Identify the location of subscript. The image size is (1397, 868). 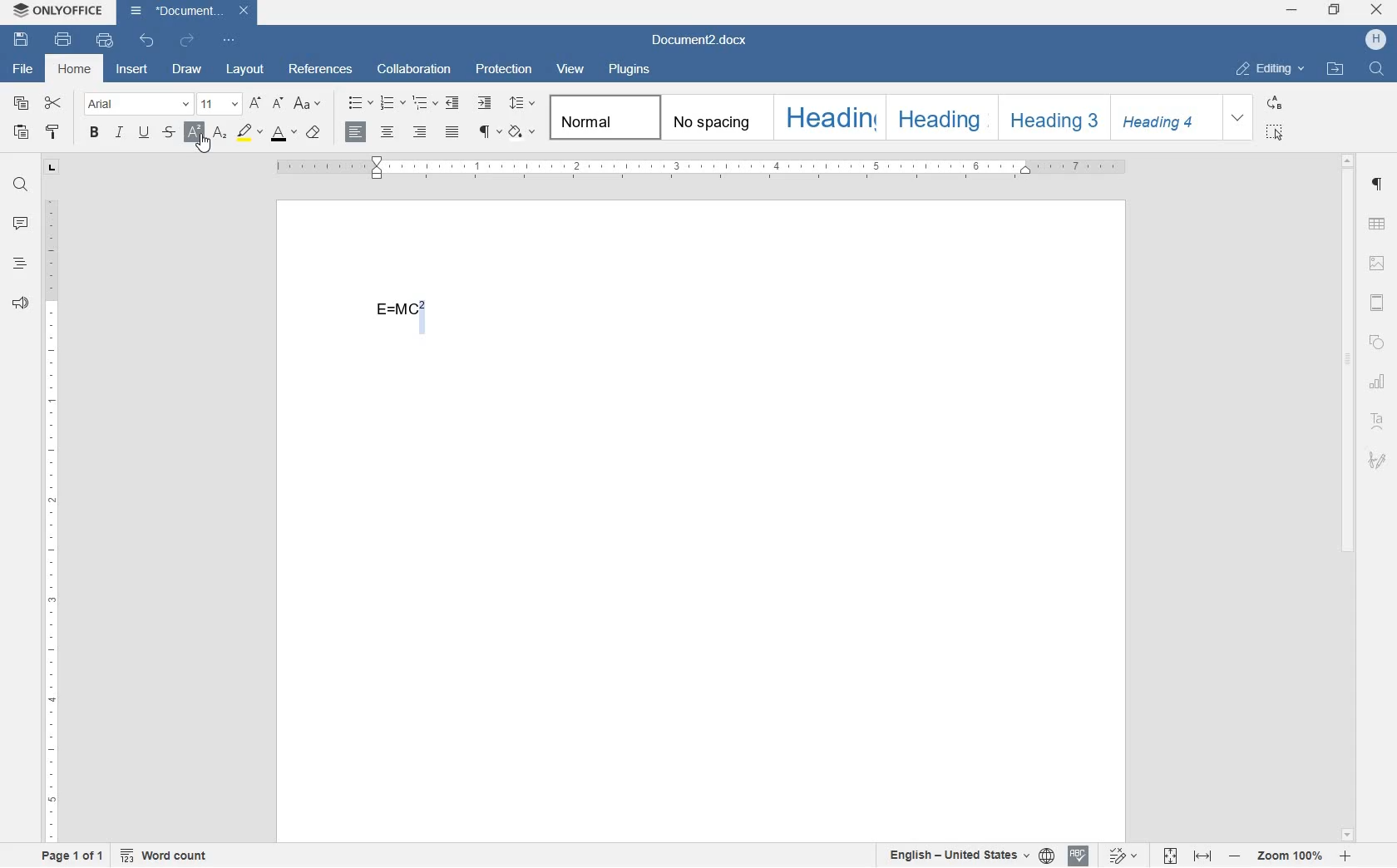
(219, 133).